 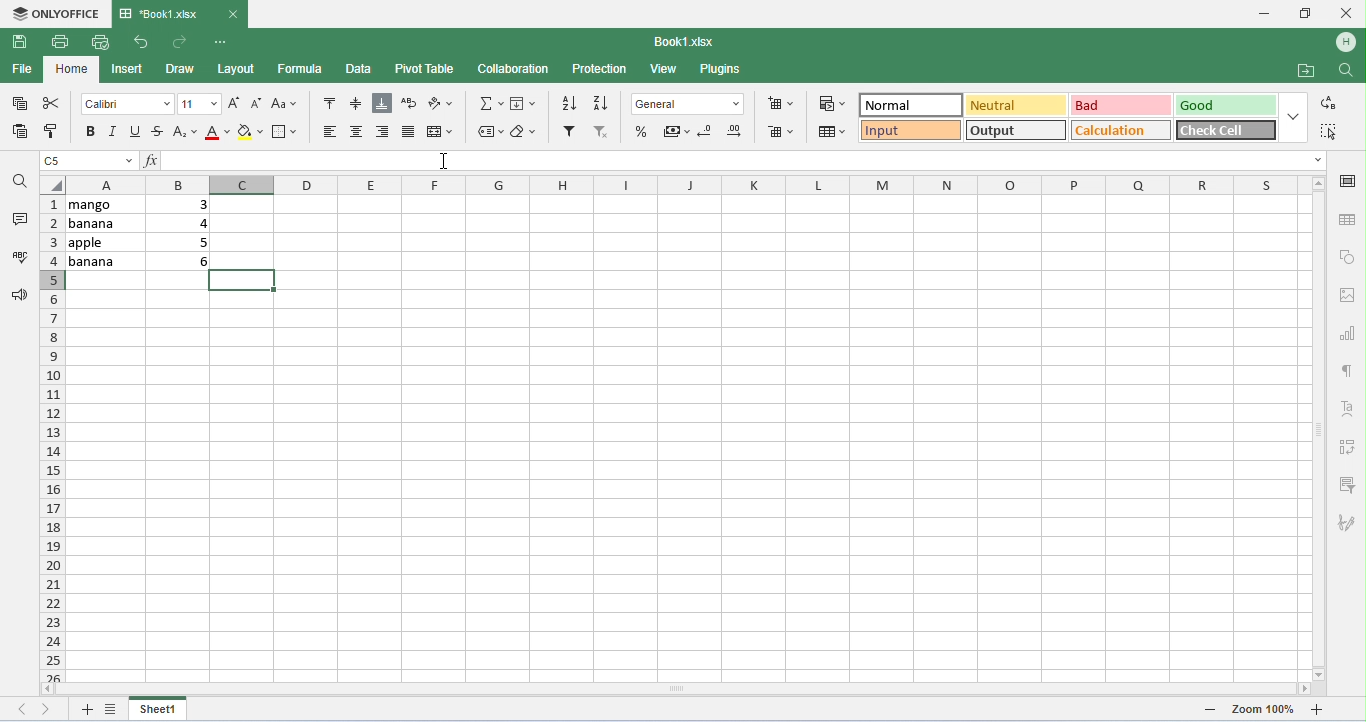 What do you see at coordinates (223, 40) in the screenshot?
I see `customize quick access tool bar` at bounding box center [223, 40].